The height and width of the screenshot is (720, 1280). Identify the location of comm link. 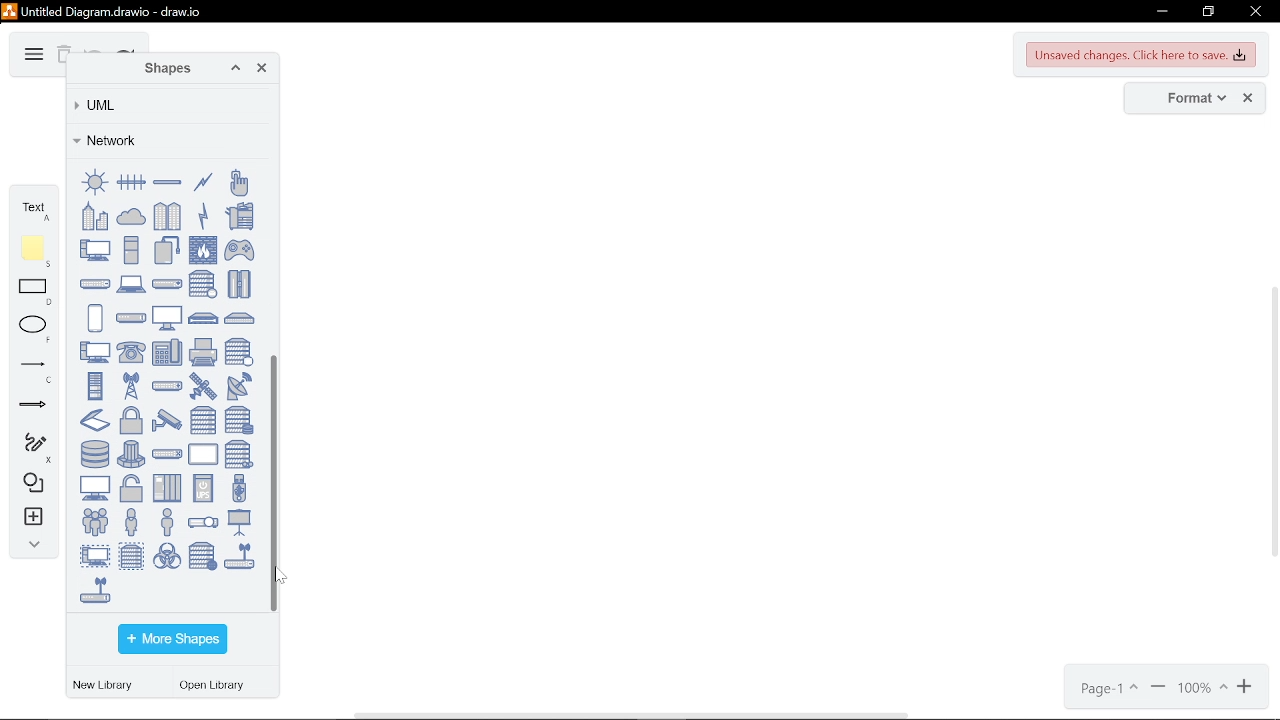
(203, 182).